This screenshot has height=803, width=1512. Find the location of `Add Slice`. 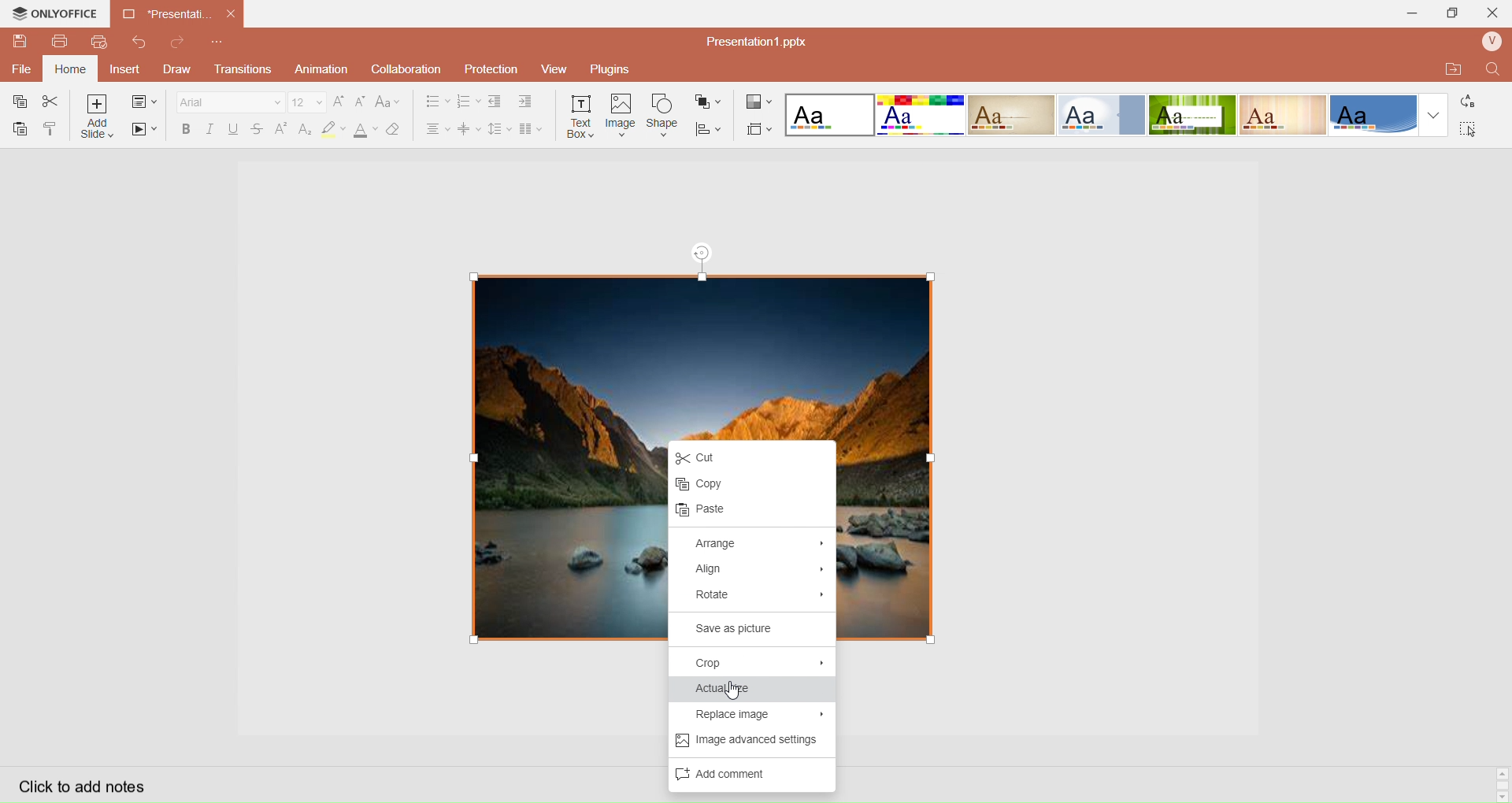

Add Slice is located at coordinates (98, 119).